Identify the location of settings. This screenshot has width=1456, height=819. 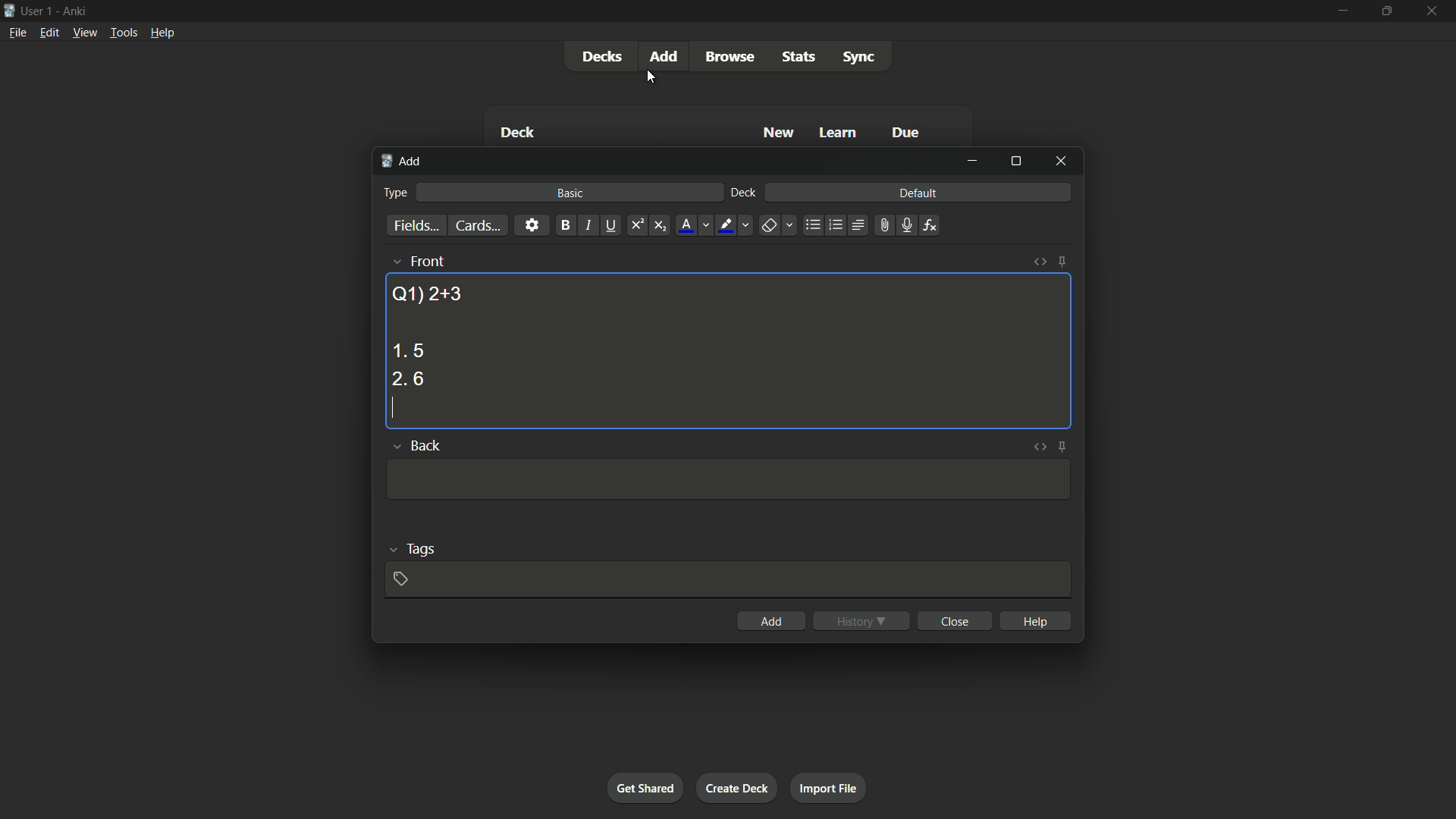
(532, 224).